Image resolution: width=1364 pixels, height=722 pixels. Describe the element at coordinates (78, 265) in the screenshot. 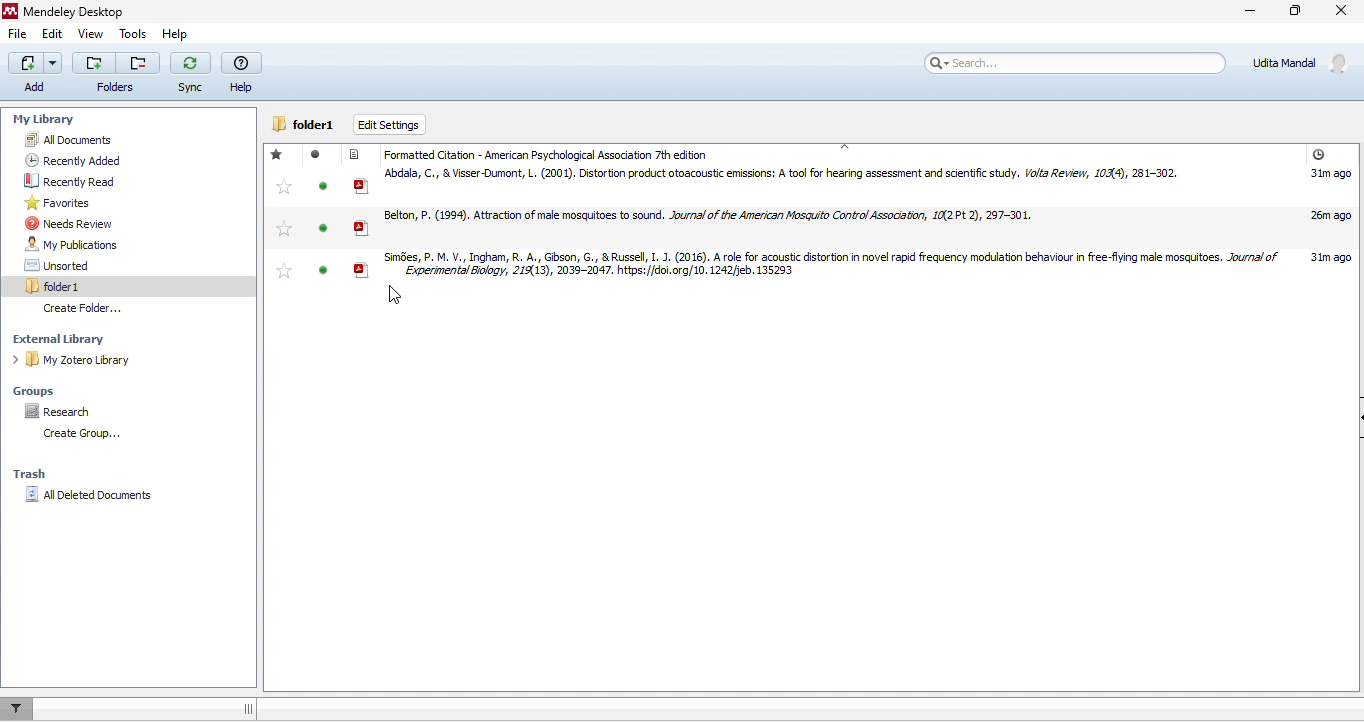

I see `unsorted` at that location.